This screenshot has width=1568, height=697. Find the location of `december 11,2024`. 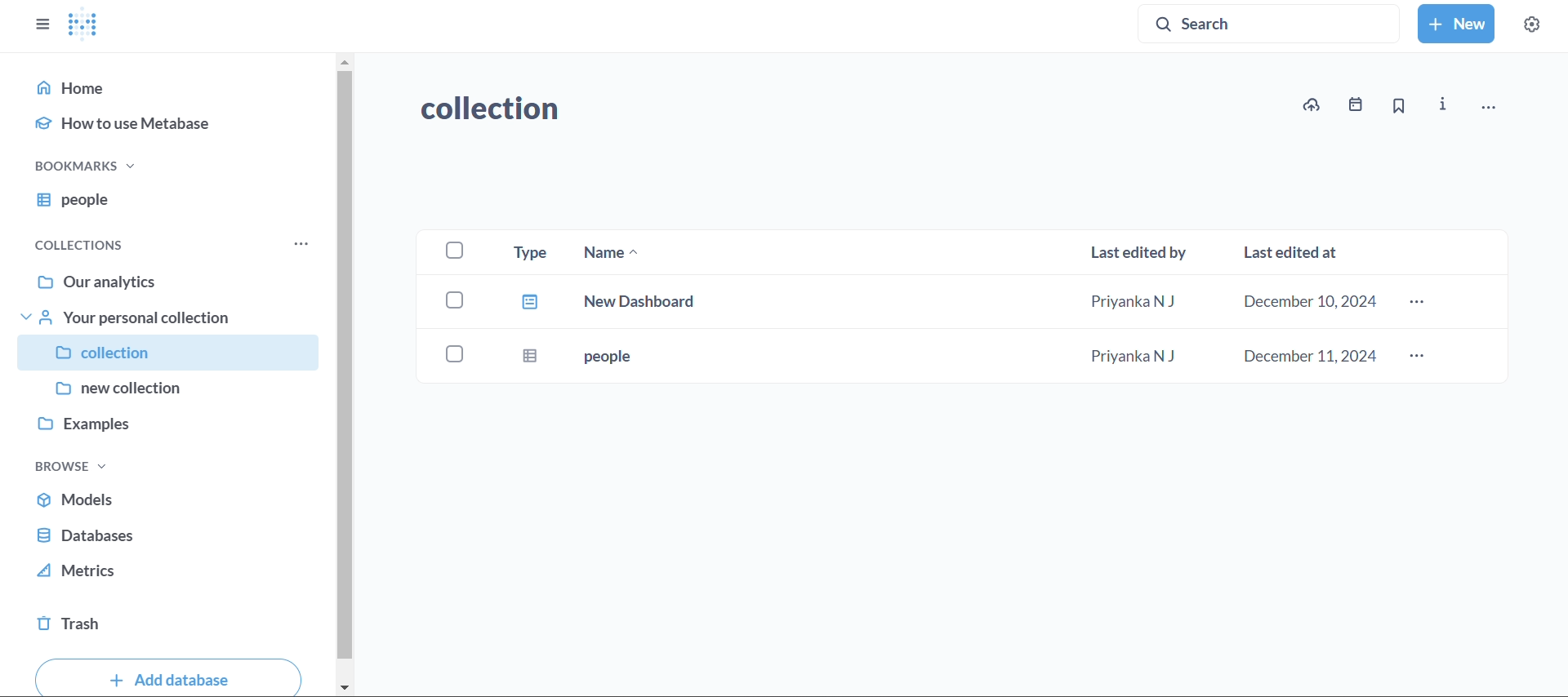

december 11,2024 is located at coordinates (1306, 356).